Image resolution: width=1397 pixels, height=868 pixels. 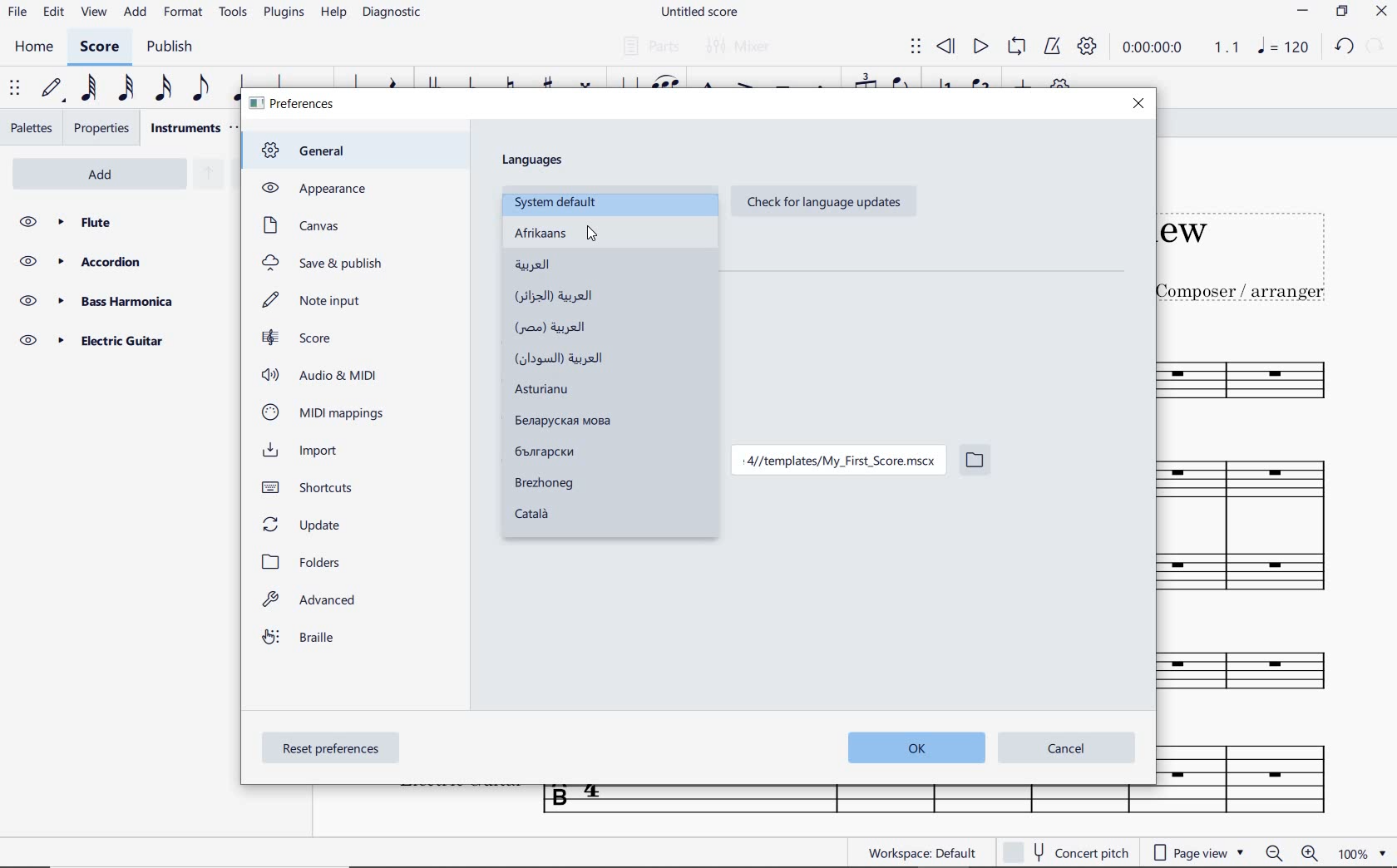 I want to click on electric guitar, so click(x=116, y=340).